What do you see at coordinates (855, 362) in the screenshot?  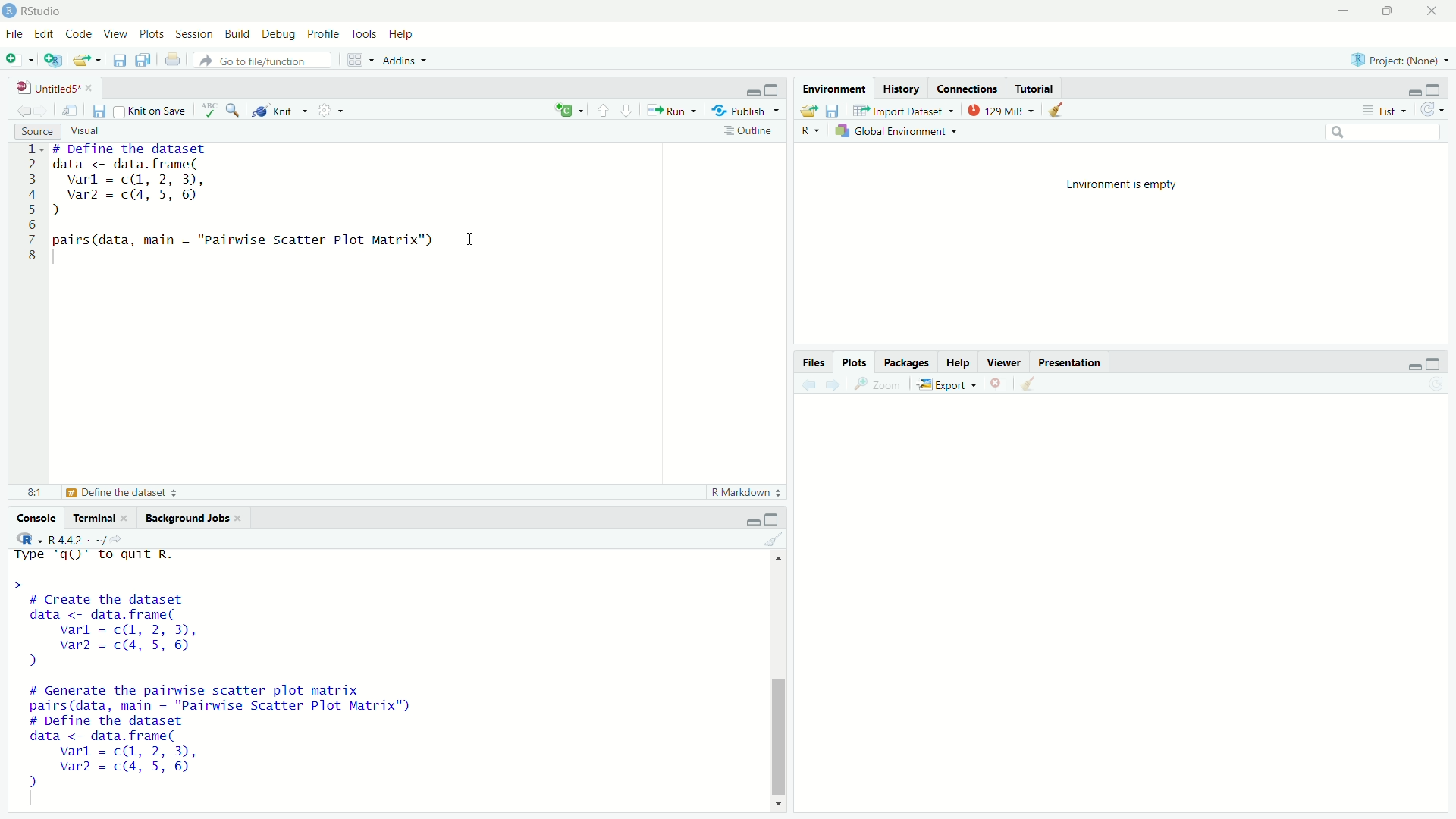 I see `Plots` at bounding box center [855, 362].